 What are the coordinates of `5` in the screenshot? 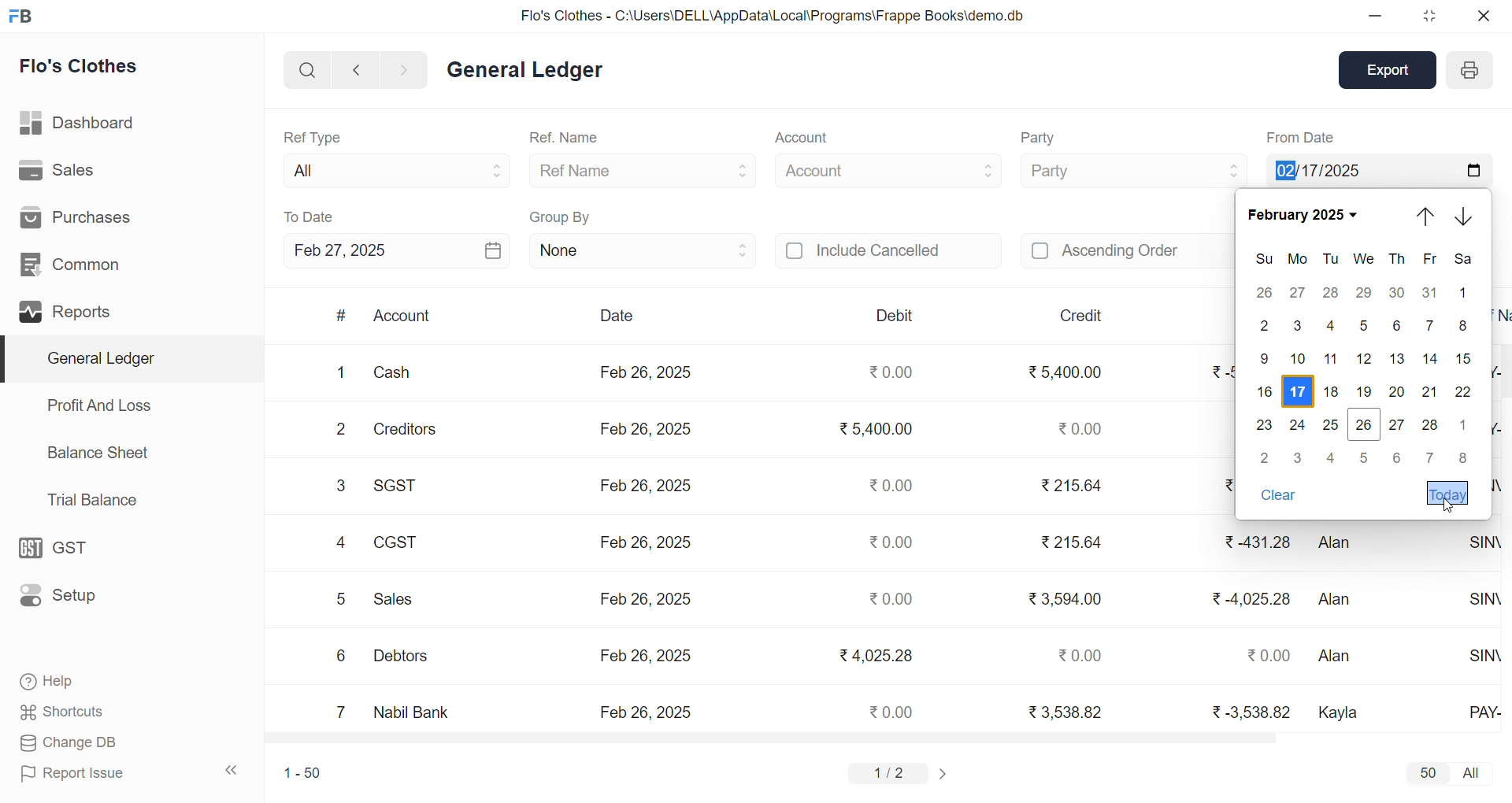 It's located at (1367, 324).